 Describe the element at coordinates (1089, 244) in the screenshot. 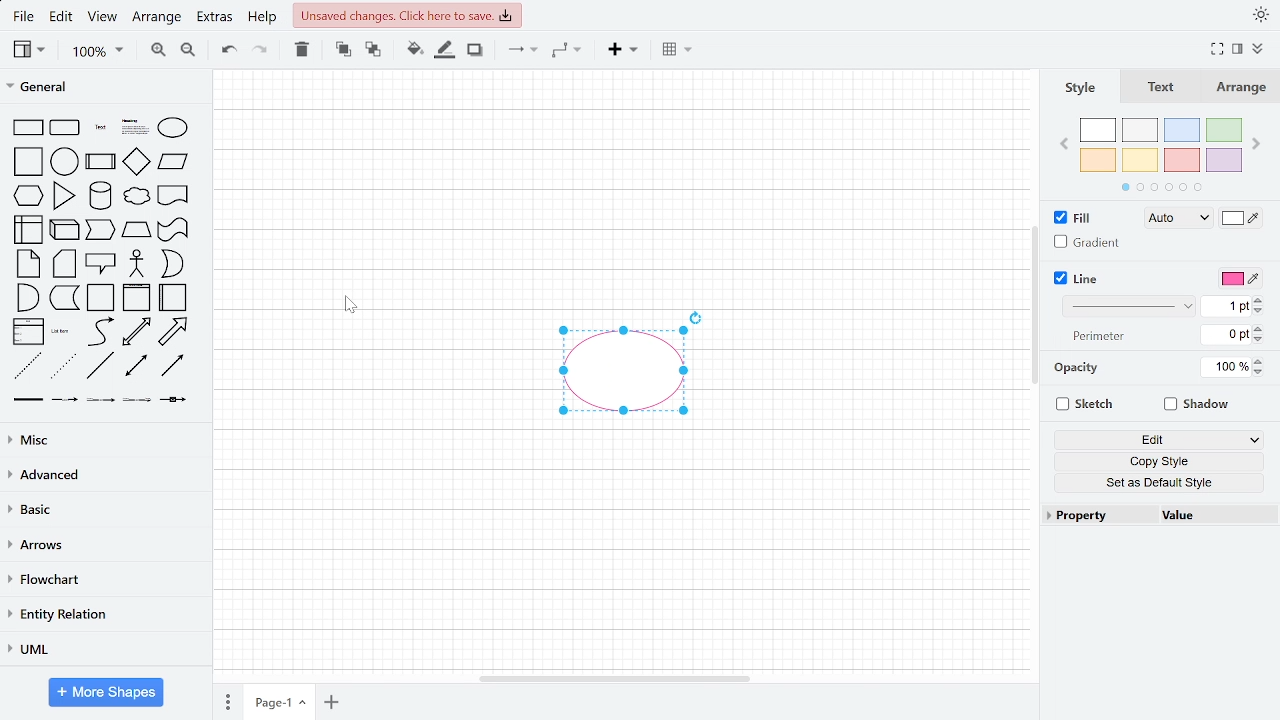

I see `Gradient` at that location.